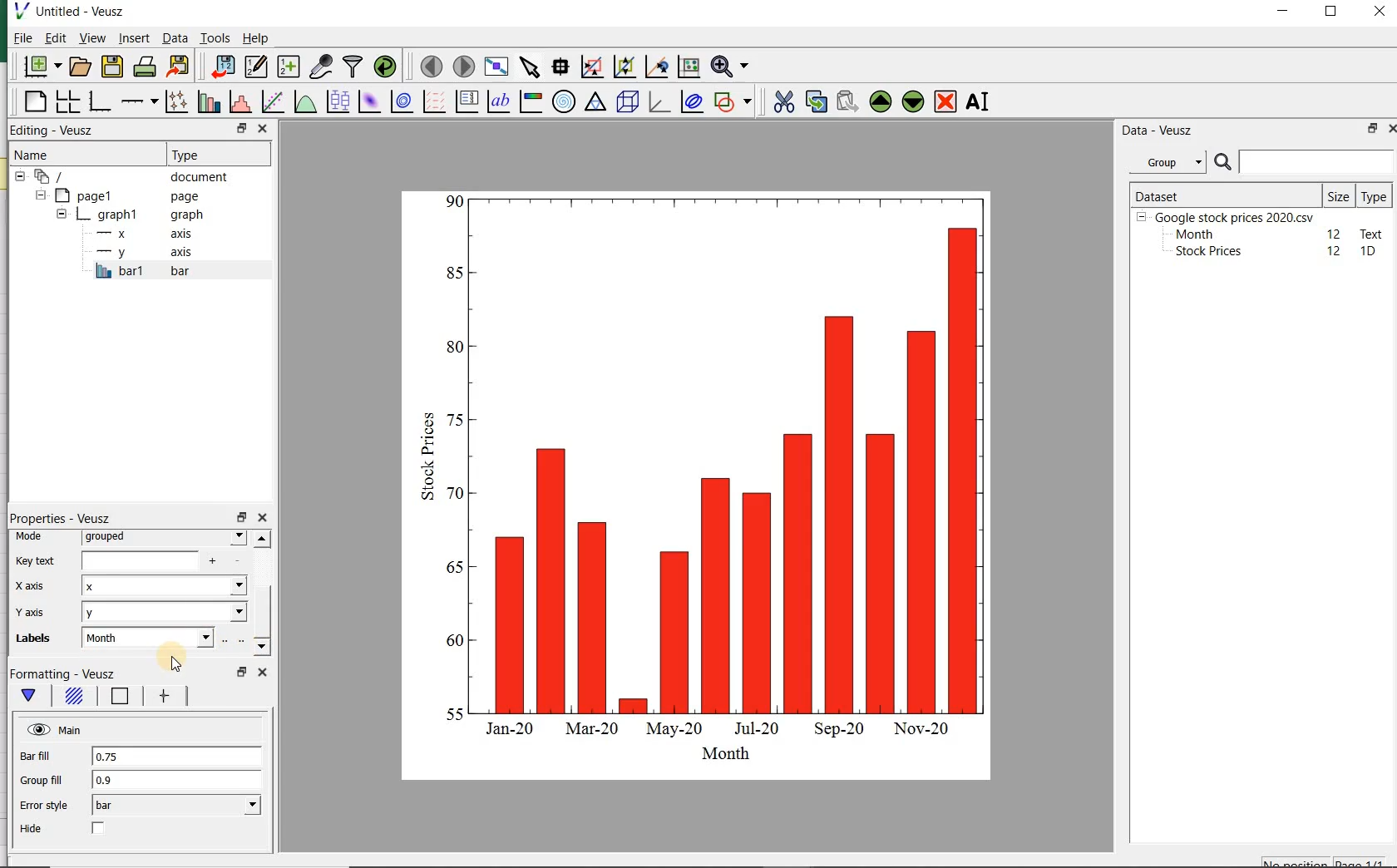 The height and width of the screenshot is (868, 1397). What do you see at coordinates (127, 216) in the screenshot?
I see `graph1` at bounding box center [127, 216].